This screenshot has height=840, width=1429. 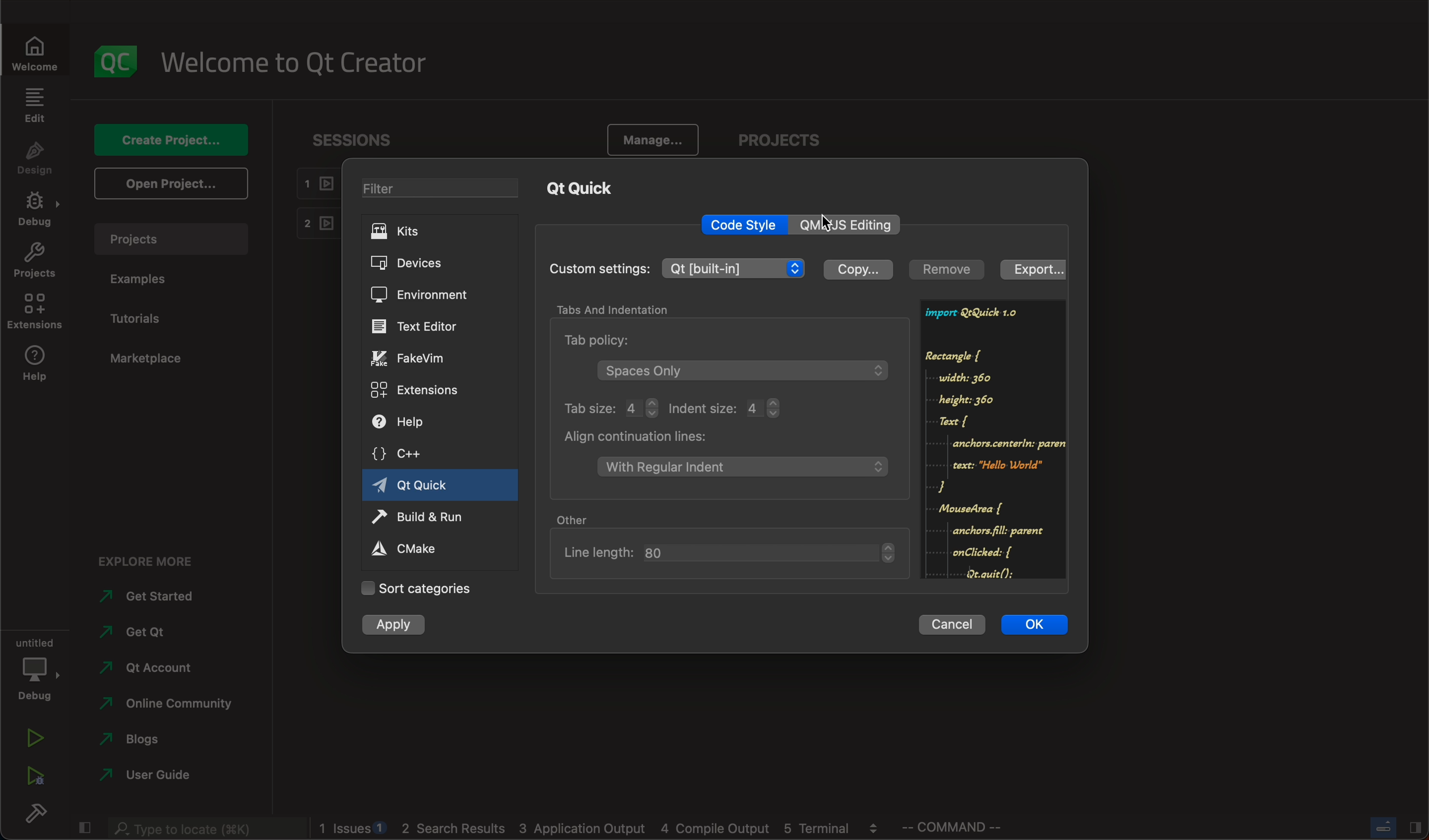 I want to click on design, so click(x=35, y=159).